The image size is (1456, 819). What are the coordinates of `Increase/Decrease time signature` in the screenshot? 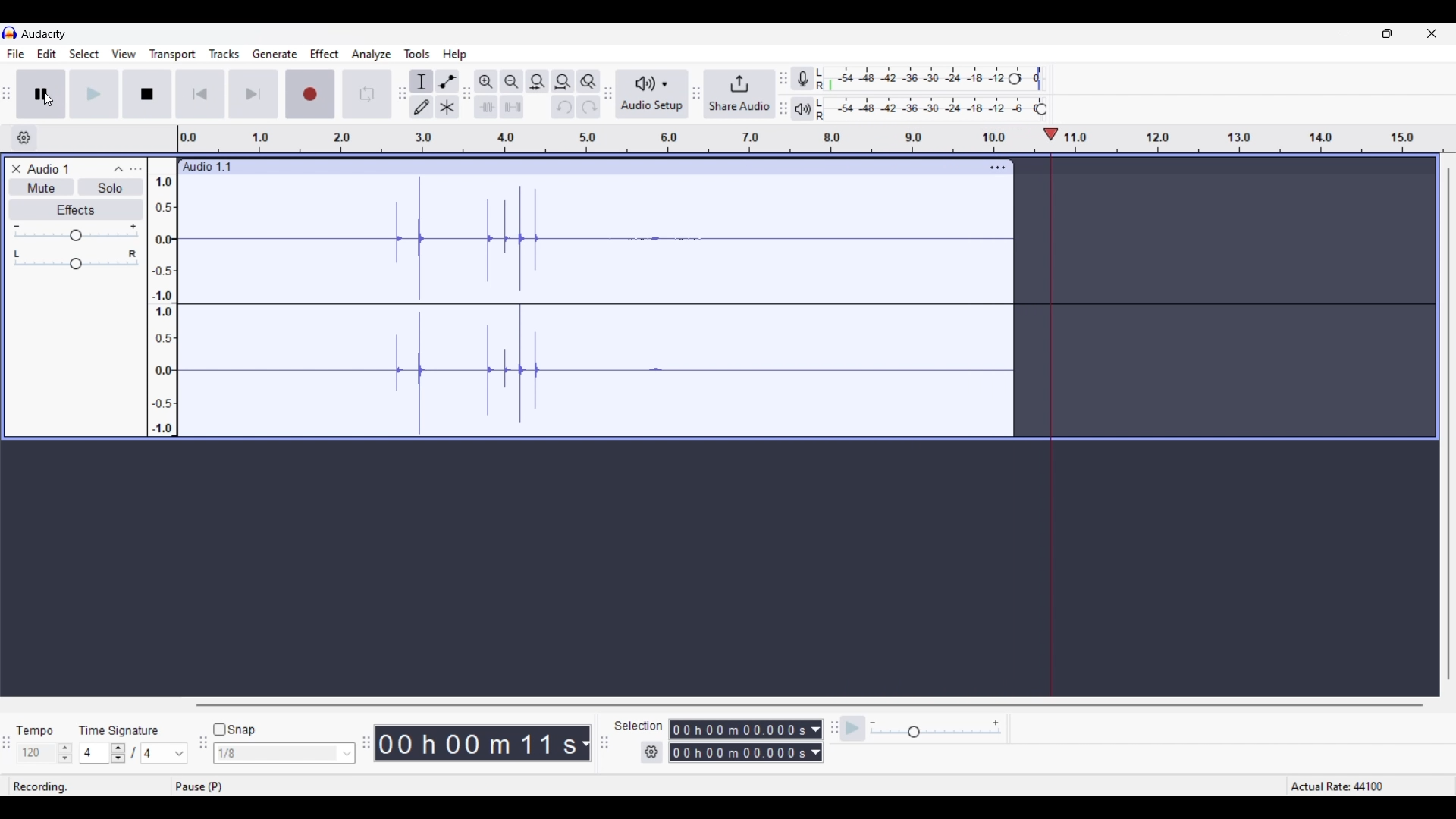 It's located at (118, 754).